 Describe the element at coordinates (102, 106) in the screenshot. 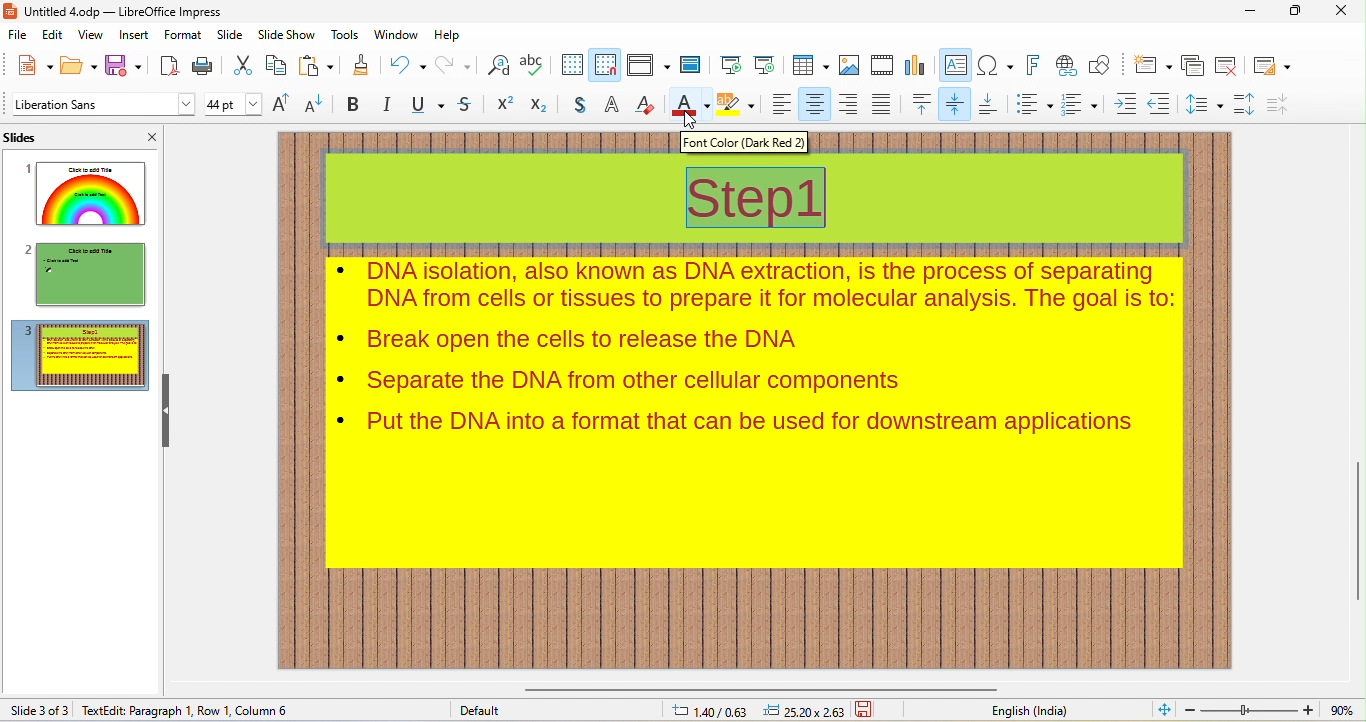

I see `font style` at that location.